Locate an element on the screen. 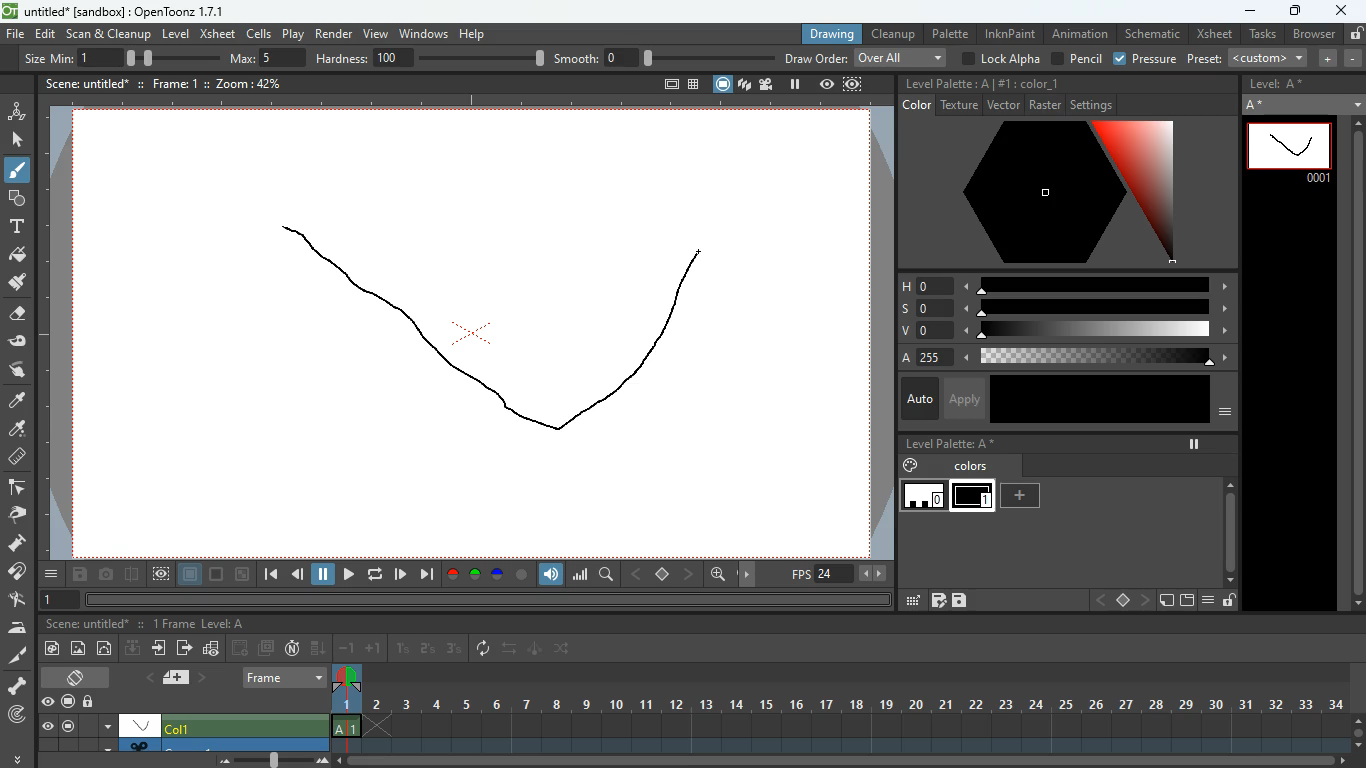 The height and width of the screenshot is (768, 1366). edge is located at coordinates (16, 488).